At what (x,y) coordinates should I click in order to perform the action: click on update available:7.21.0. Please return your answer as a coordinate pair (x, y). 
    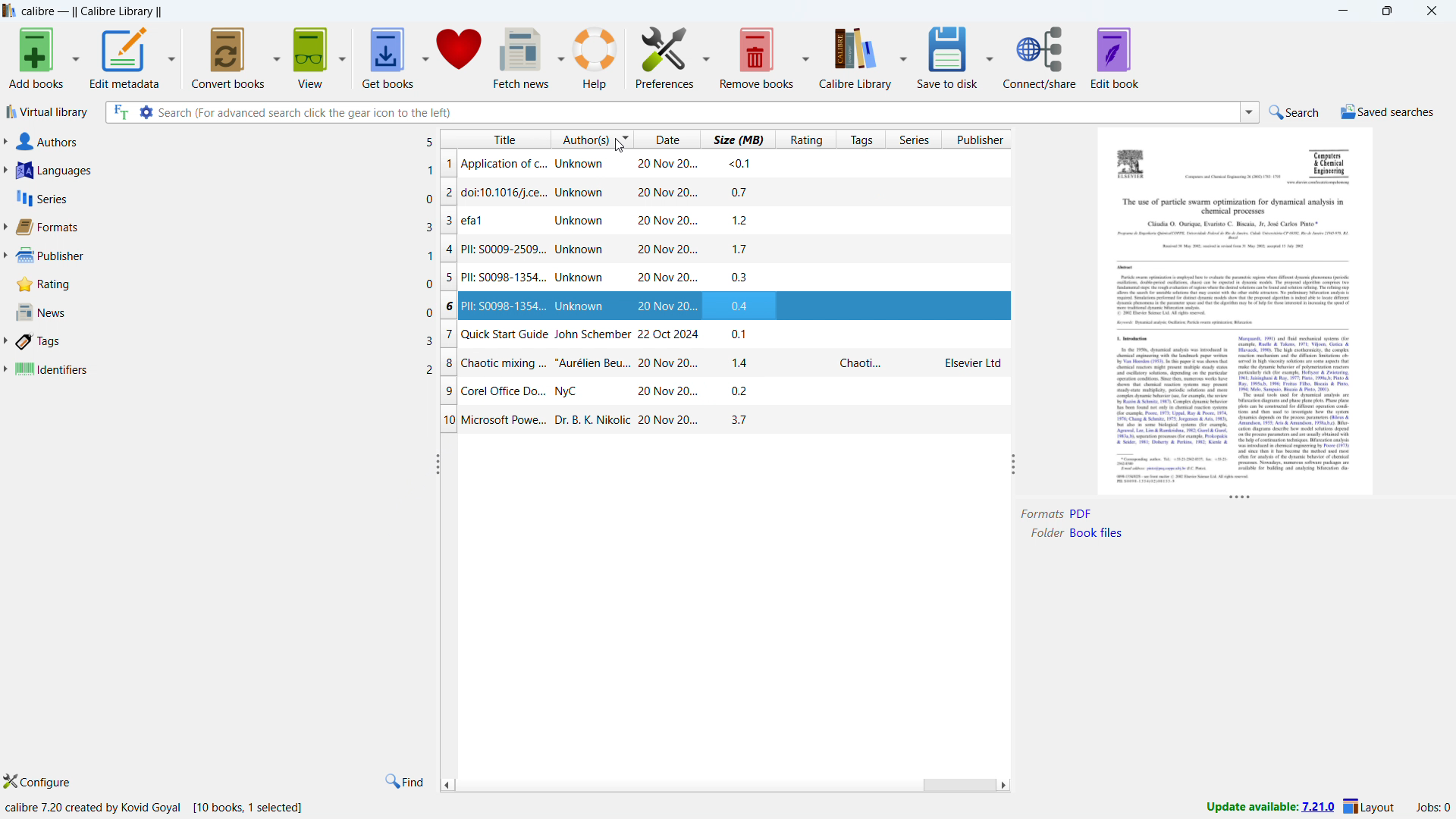
    Looking at the image, I should click on (1268, 808).